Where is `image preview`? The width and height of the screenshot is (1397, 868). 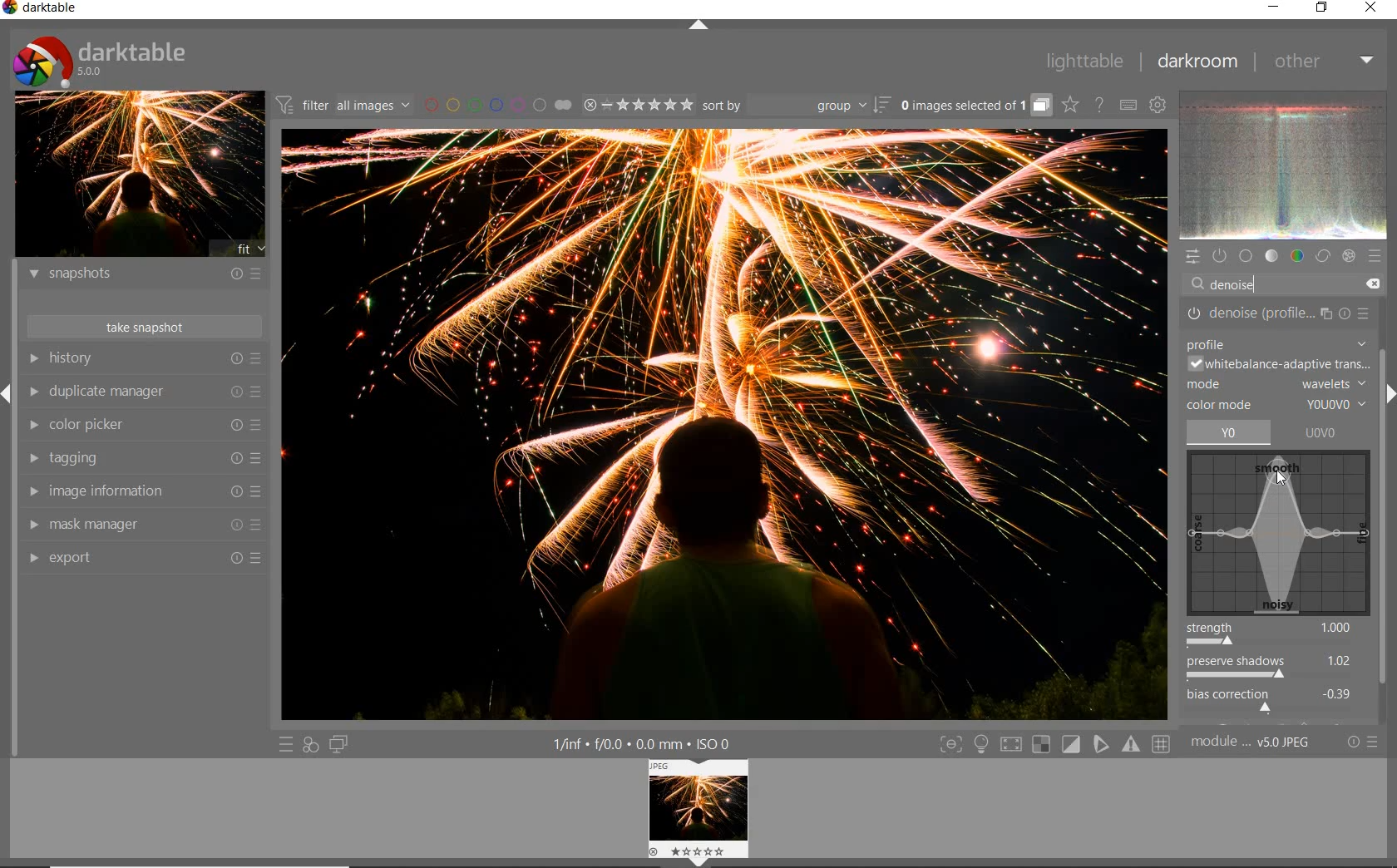 image preview is located at coordinates (139, 175).